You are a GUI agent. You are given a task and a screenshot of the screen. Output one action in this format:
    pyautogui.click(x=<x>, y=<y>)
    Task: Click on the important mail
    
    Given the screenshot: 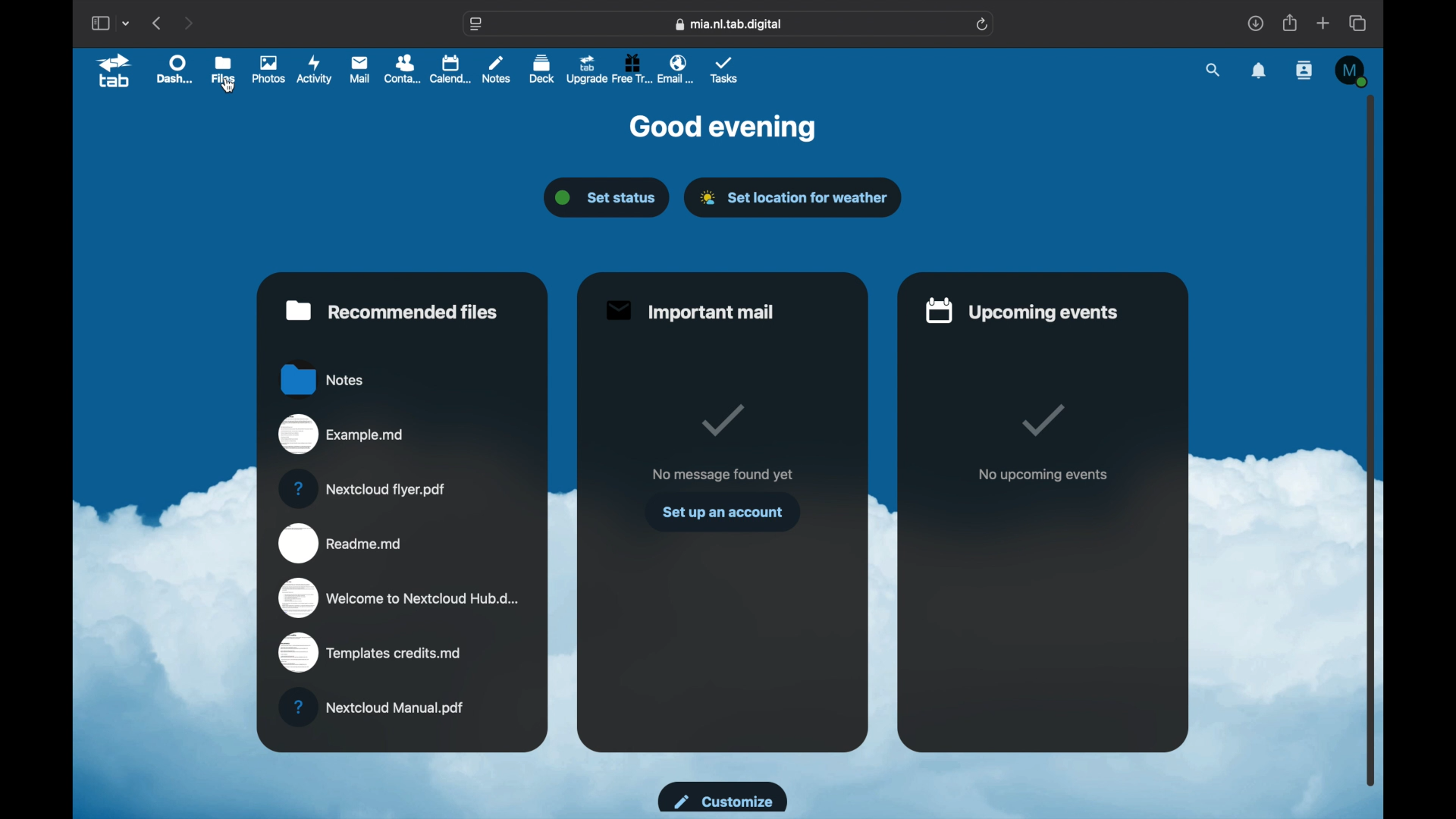 What is the action you would take?
    pyautogui.click(x=688, y=311)
    